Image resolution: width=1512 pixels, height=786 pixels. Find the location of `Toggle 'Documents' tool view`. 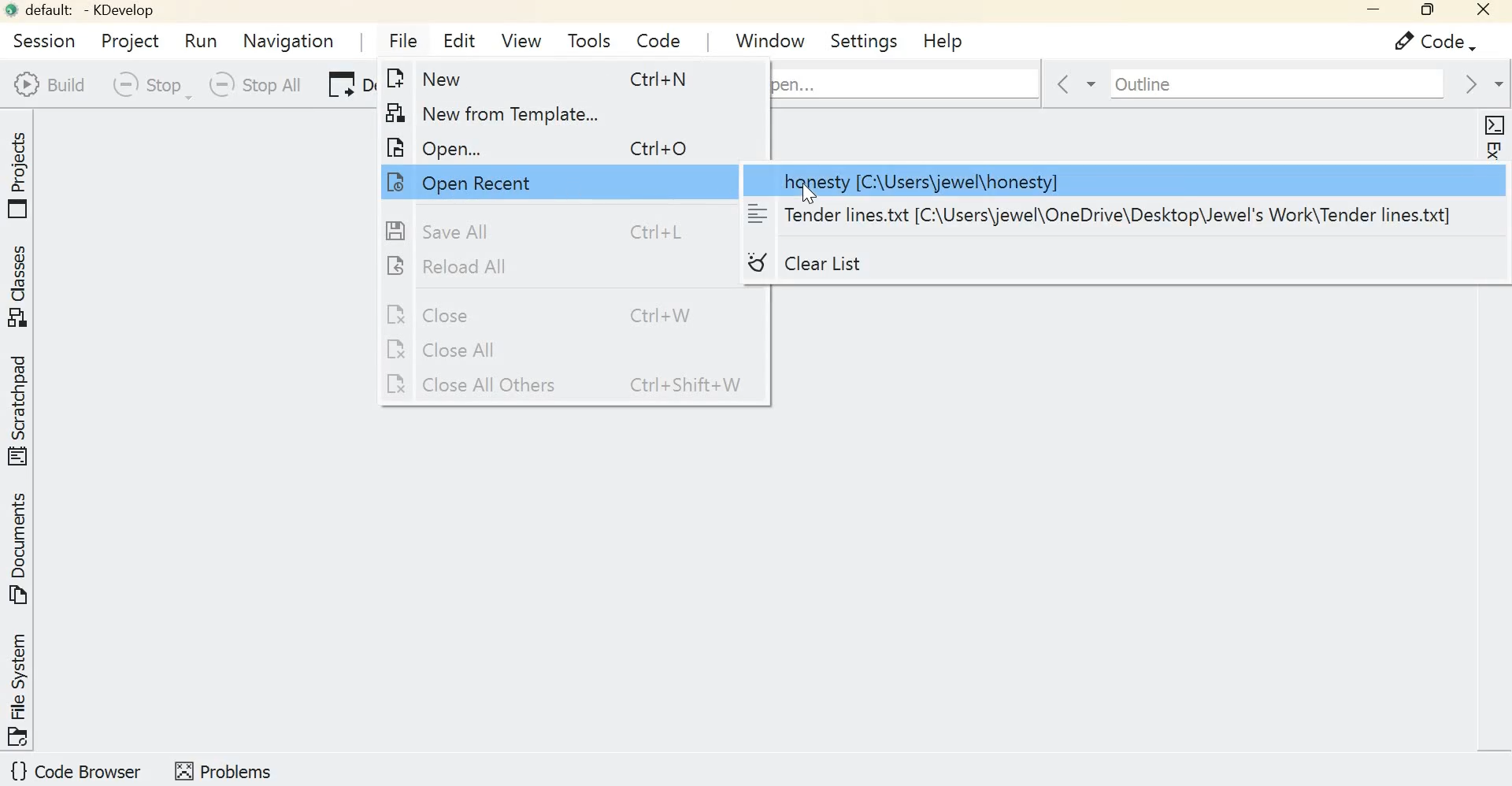

Toggle 'Documents' tool view is located at coordinates (21, 550).